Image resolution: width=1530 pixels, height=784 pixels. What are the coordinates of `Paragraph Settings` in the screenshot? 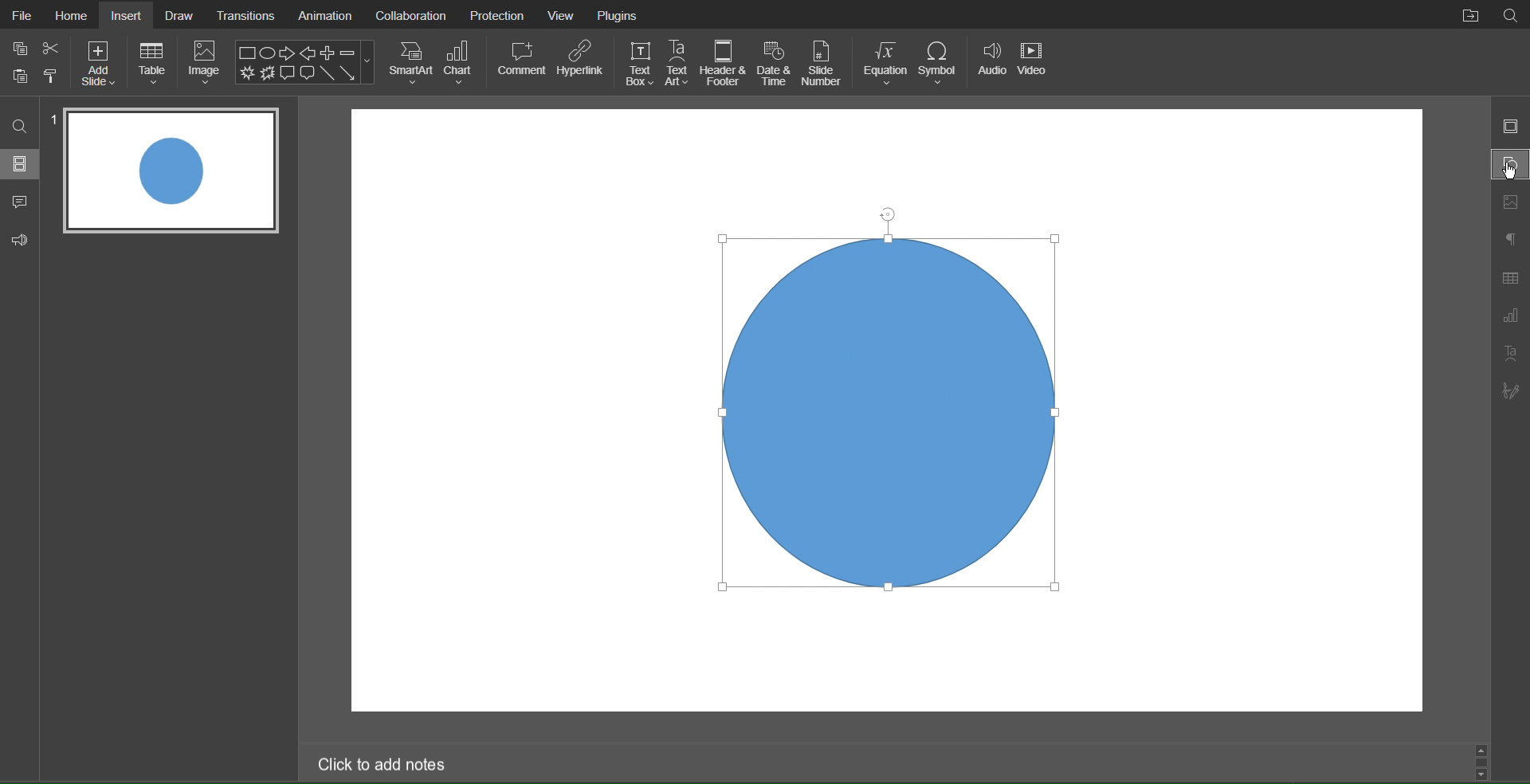 It's located at (1509, 241).